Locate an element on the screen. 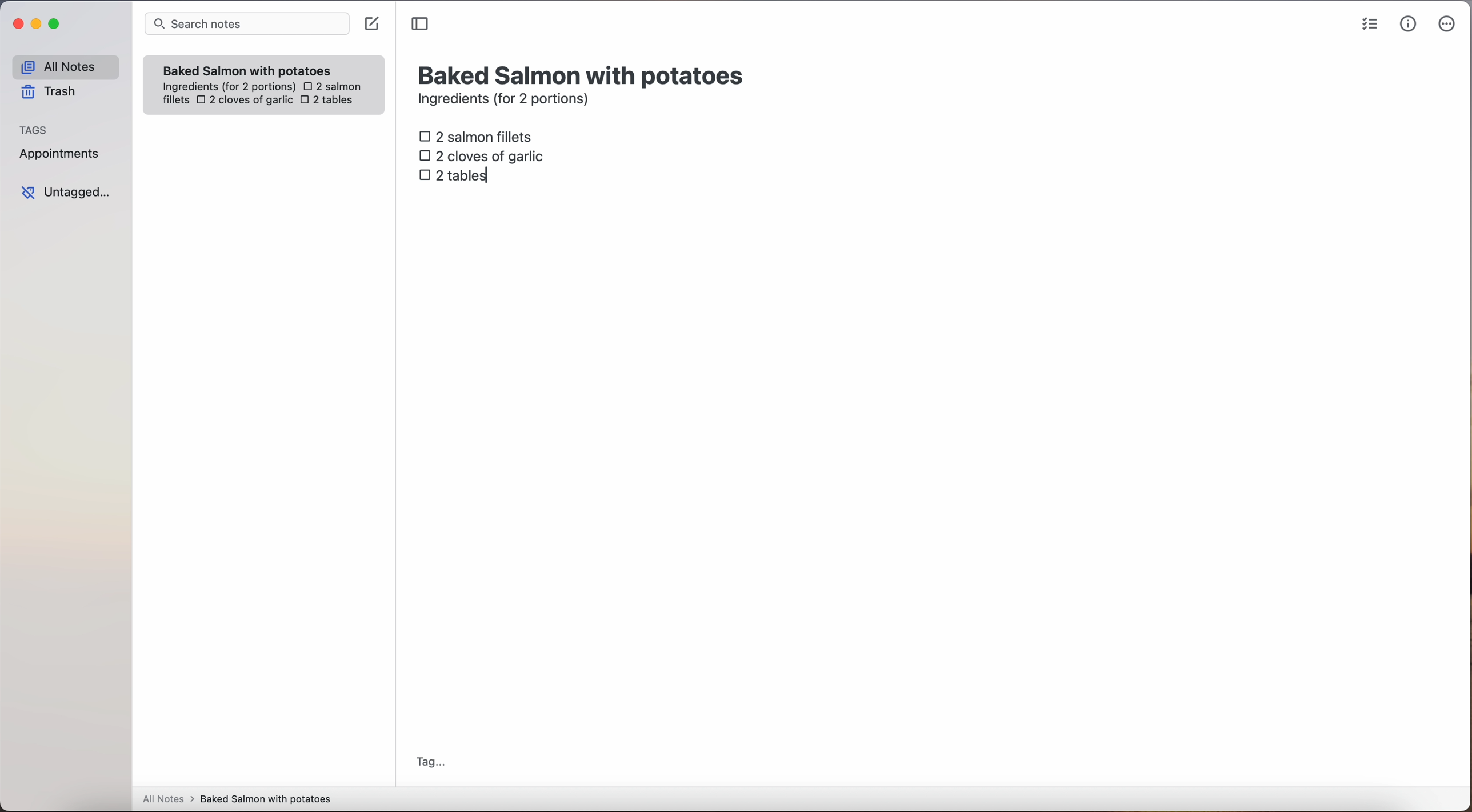 The width and height of the screenshot is (1472, 812). toggle sidebar is located at coordinates (421, 25).